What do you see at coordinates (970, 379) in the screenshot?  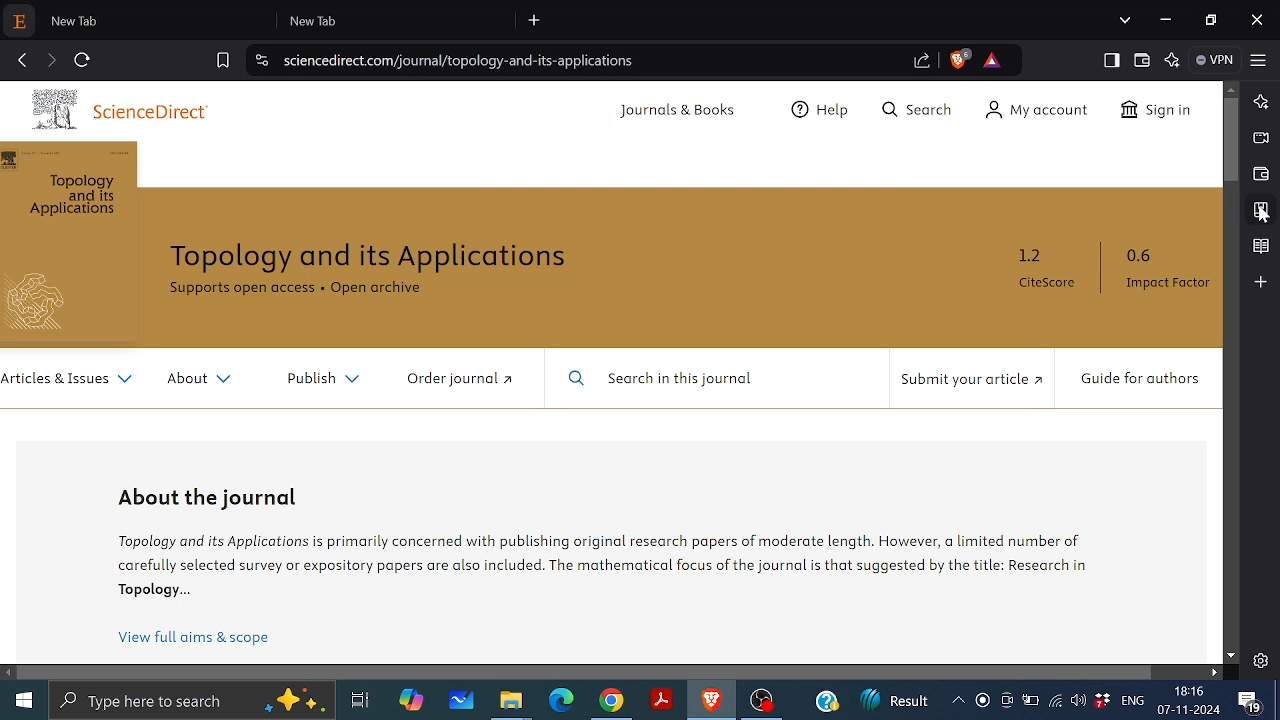 I see `Submit your article` at bounding box center [970, 379].